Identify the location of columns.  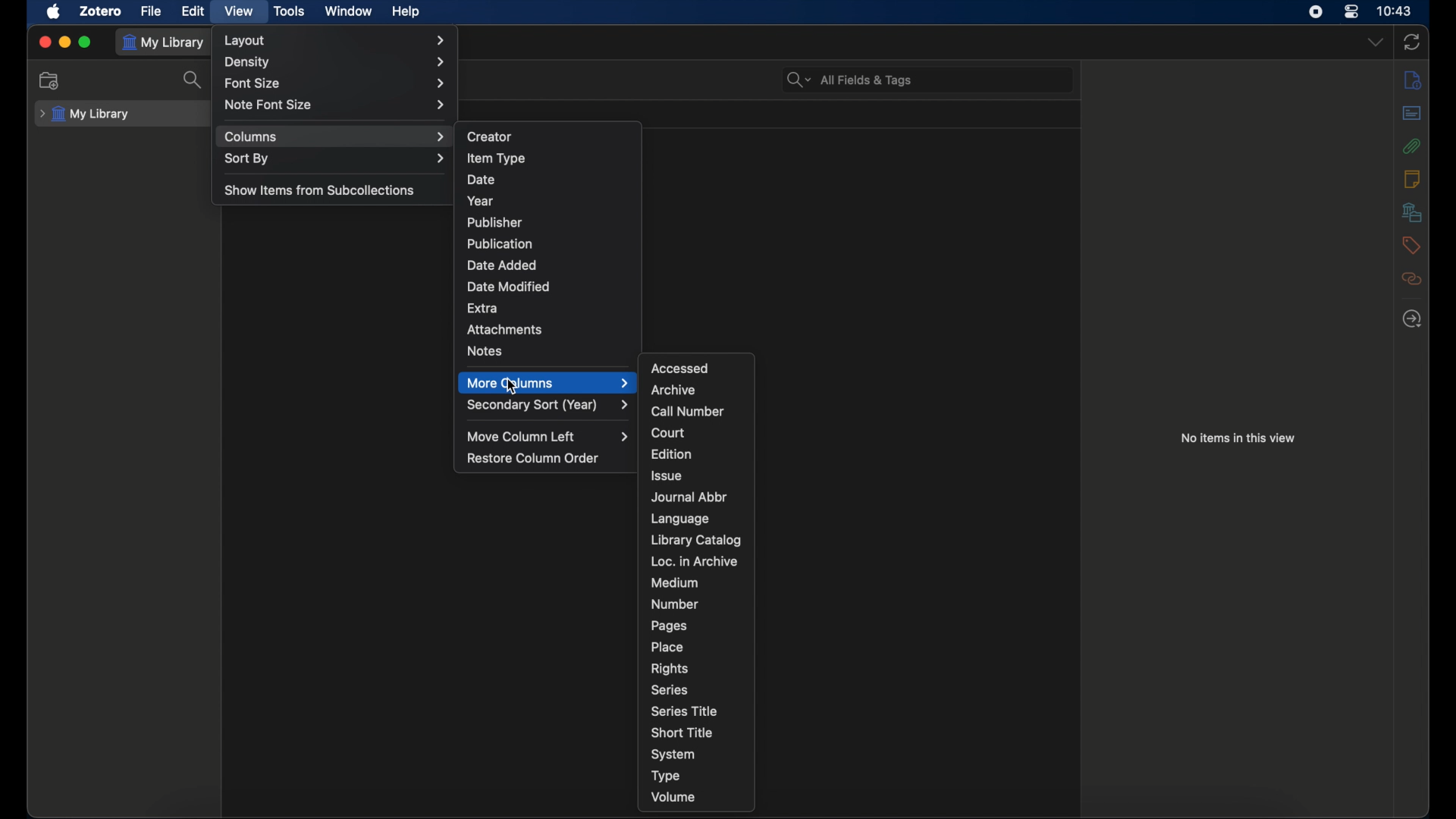
(336, 136).